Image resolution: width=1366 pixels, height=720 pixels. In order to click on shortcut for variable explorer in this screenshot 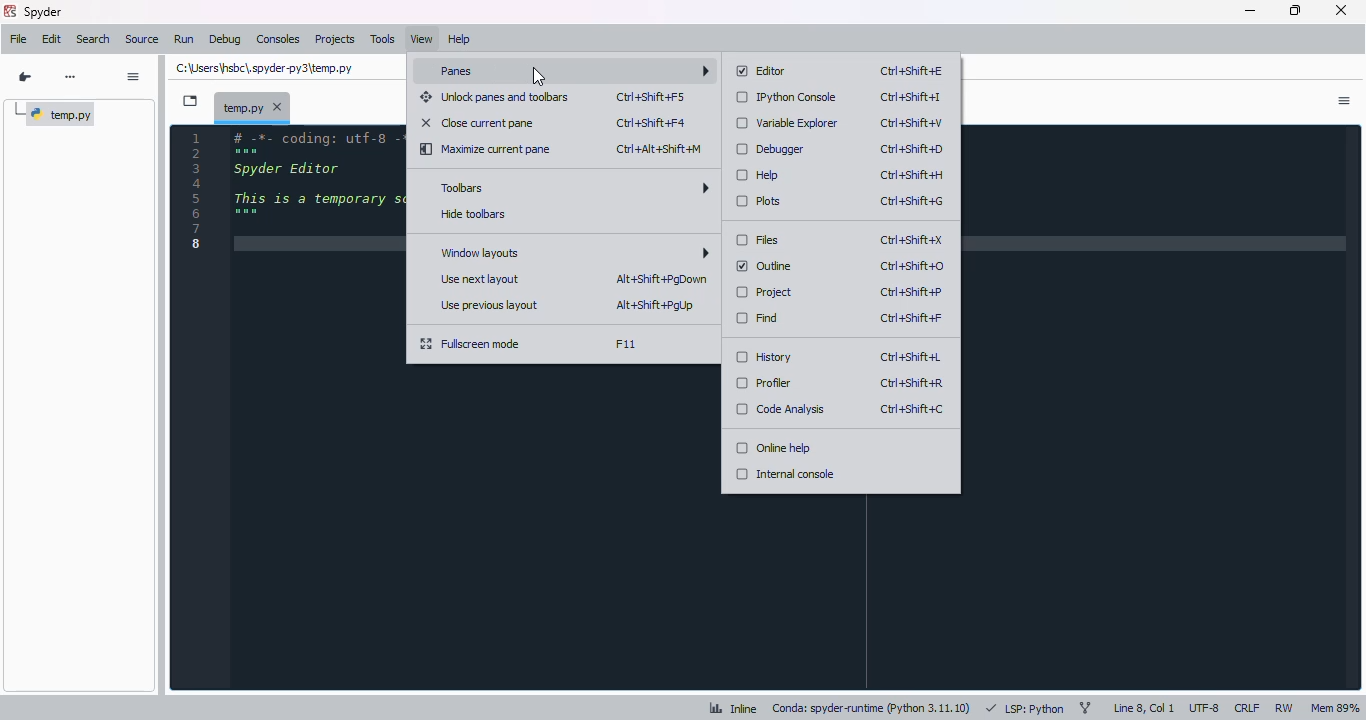, I will do `click(911, 122)`.